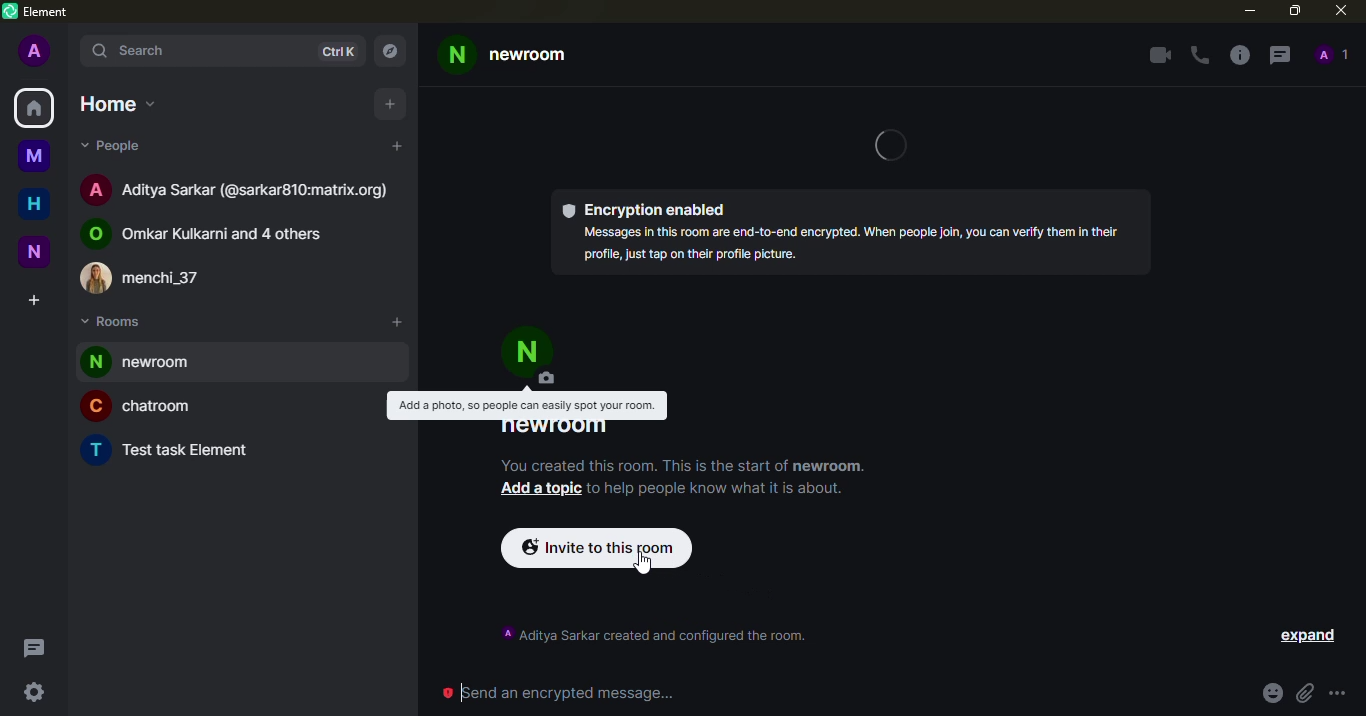 The image size is (1366, 716). I want to click on invite to this room, so click(594, 546).